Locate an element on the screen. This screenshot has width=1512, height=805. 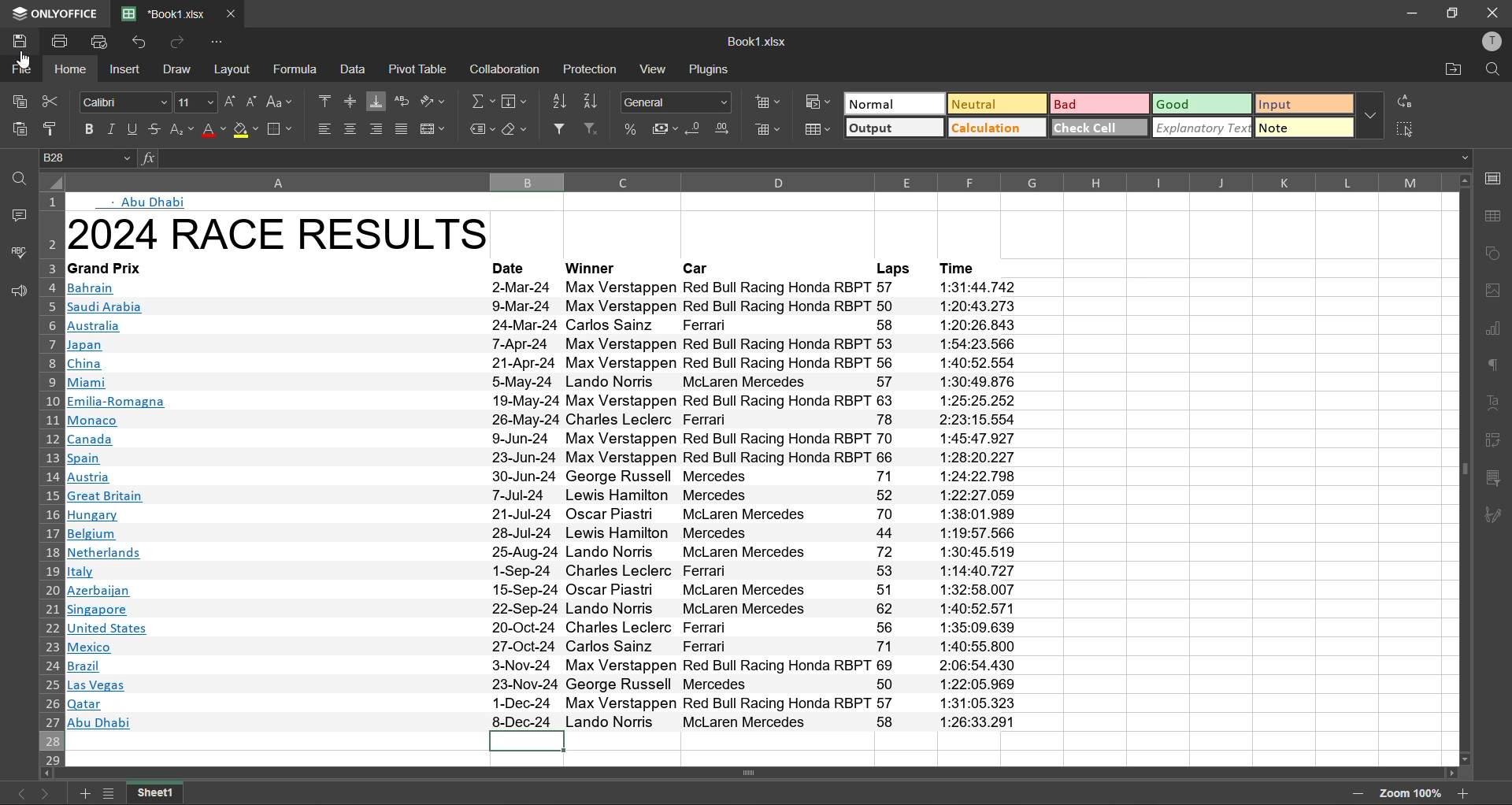
Brazil 33-Nov-24 Max Verstappen Red Bull Racing Honda RBPT 69 2:06:54 .430 is located at coordinates (544, 666).